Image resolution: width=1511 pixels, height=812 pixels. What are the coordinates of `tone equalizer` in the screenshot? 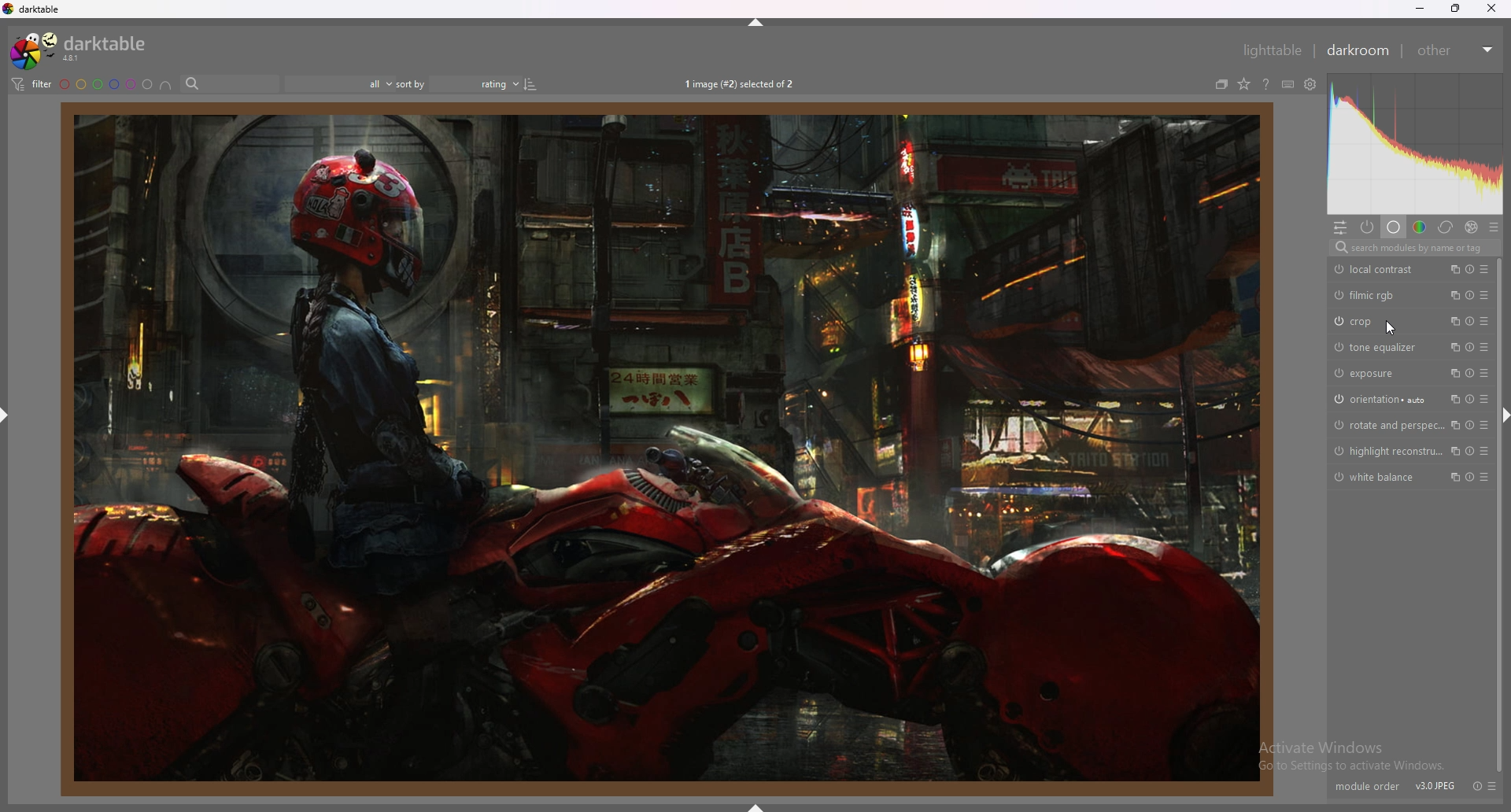 It's located at (1380, 348).